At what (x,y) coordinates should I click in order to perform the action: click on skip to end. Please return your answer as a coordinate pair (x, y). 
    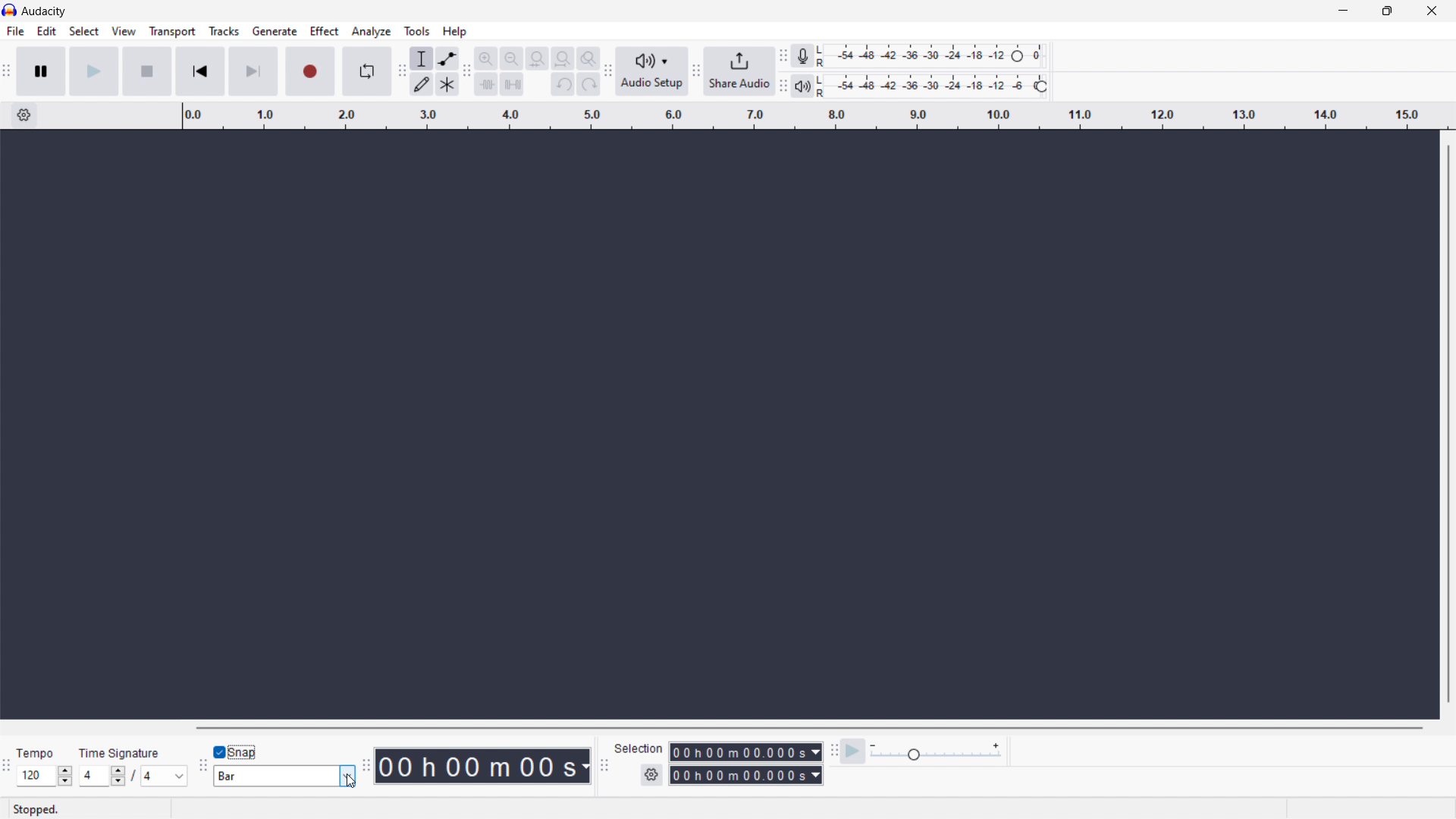
    Looking at the image, I should click on (253, 72).